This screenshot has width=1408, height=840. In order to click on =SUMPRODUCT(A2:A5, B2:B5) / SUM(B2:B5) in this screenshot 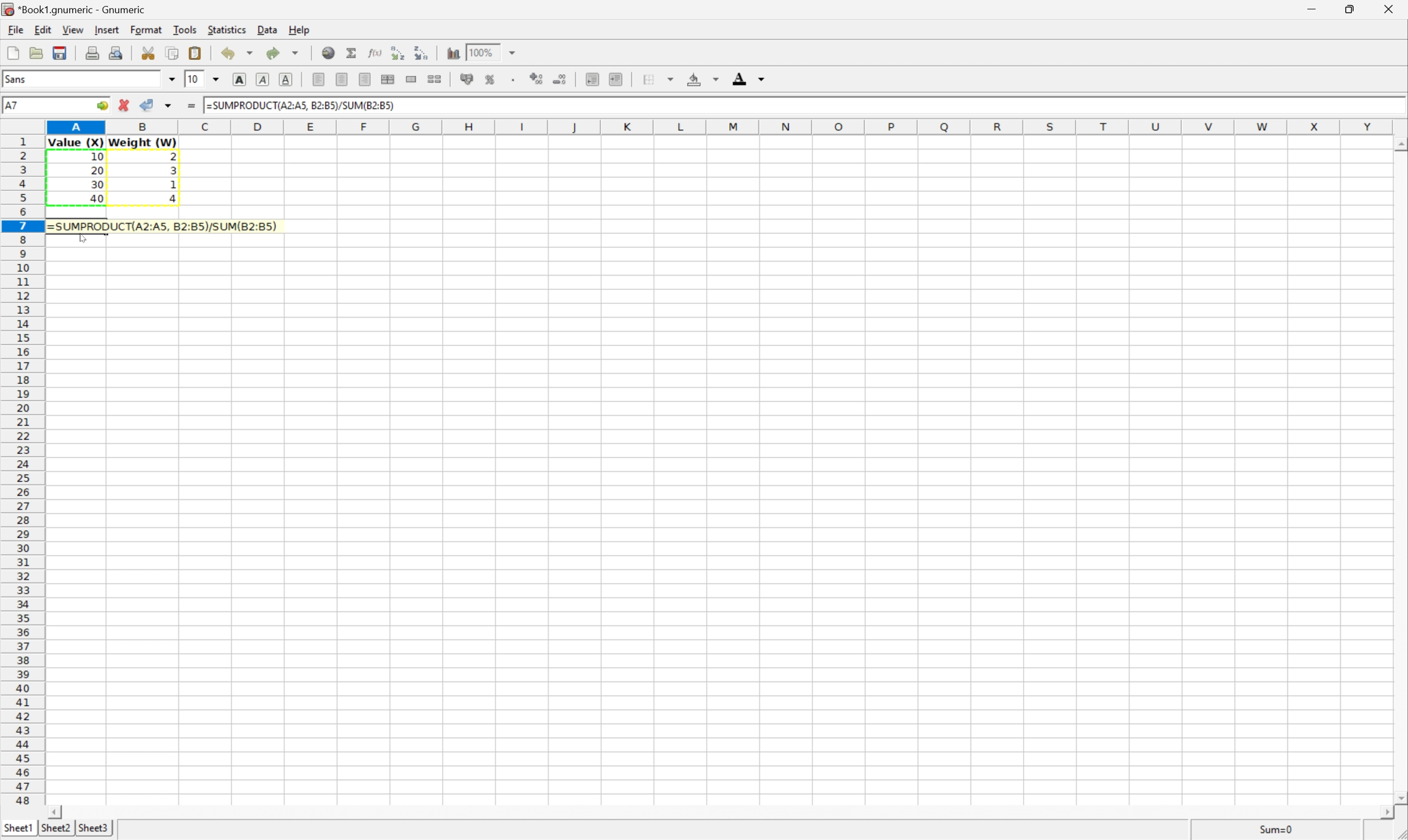, I will do `click(160, 226)`.